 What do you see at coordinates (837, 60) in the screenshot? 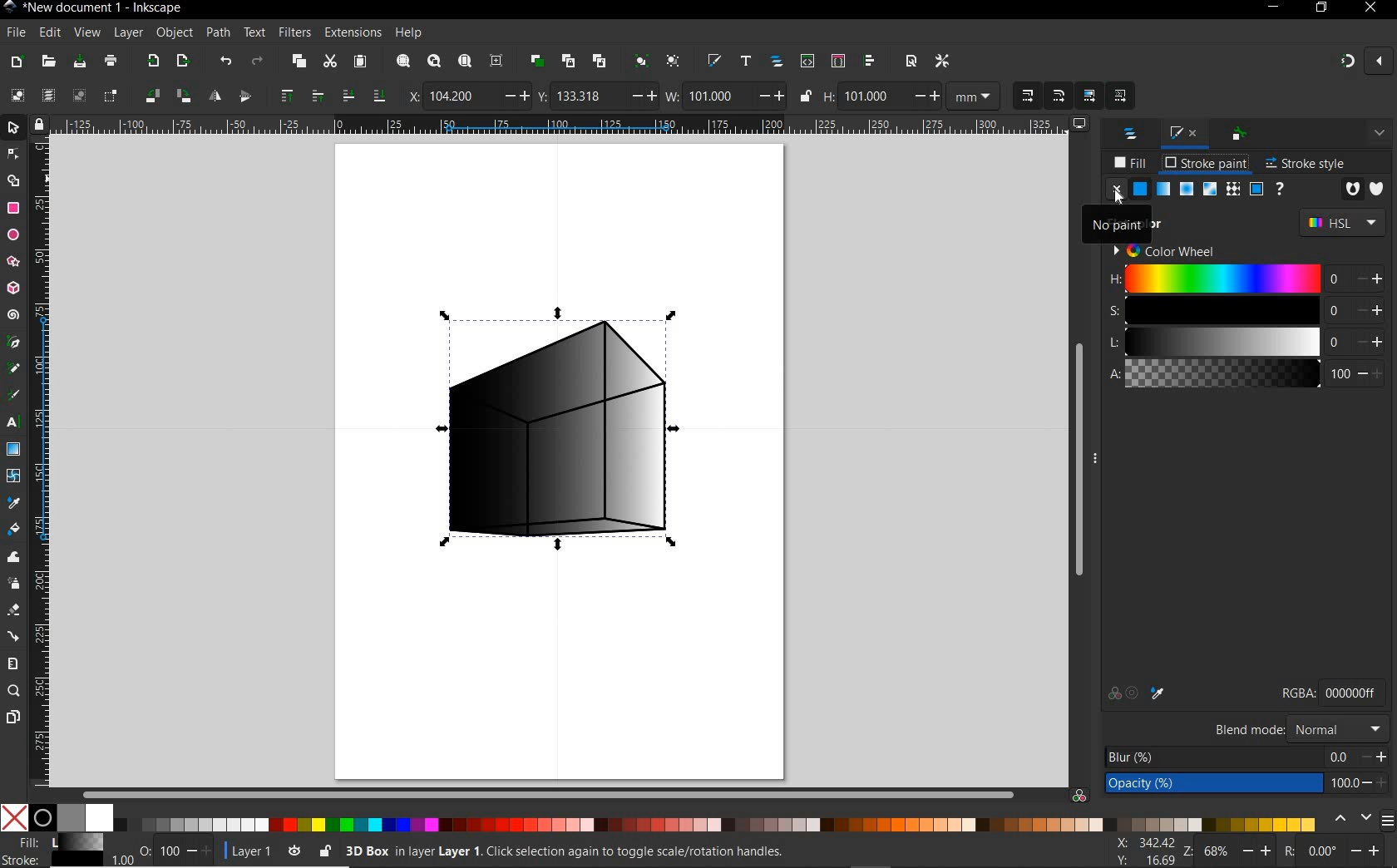
I see `OPEN SELECTORS` at bounding box center [837, 60].